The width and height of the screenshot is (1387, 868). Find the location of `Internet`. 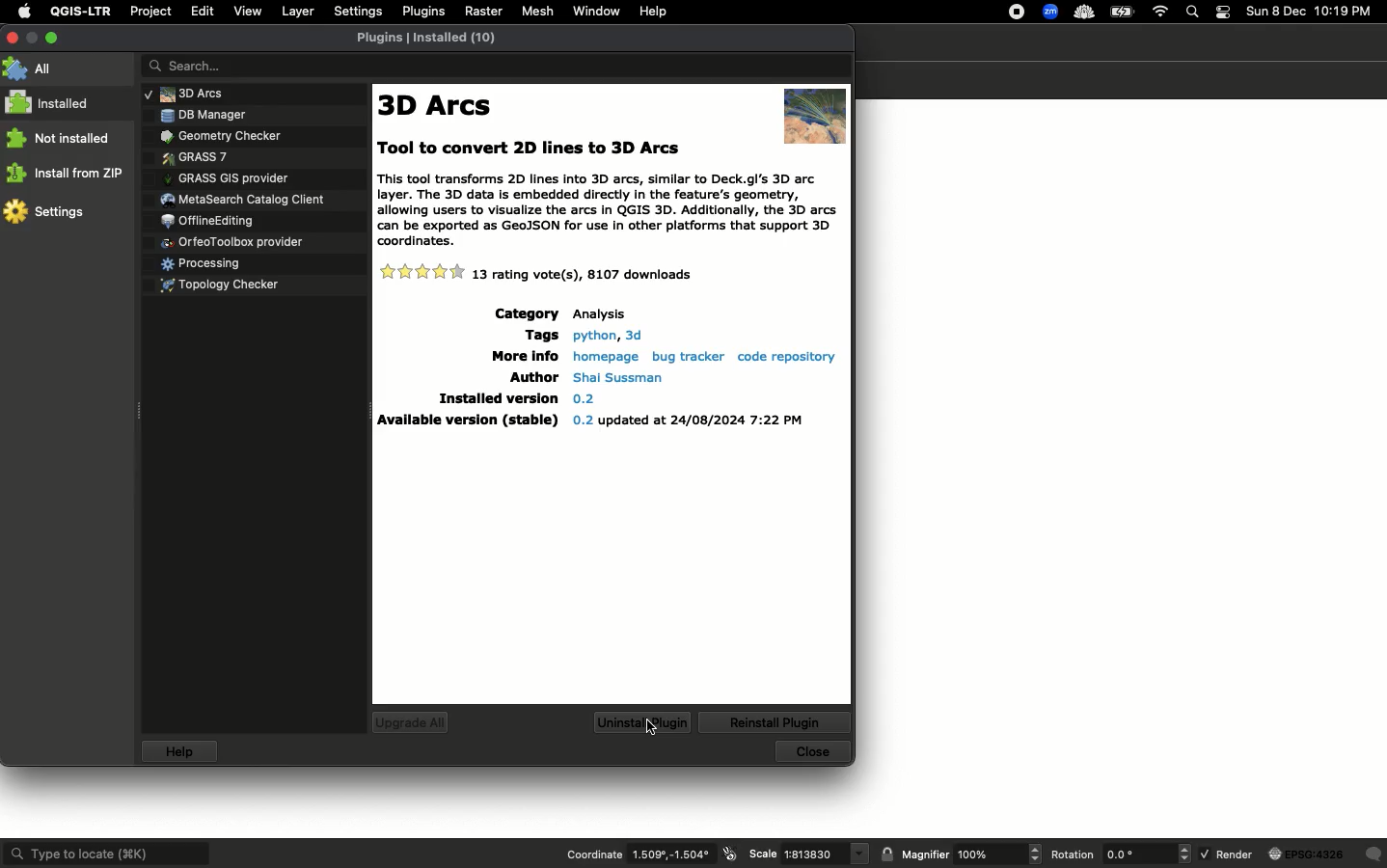

Internet is located at coordinates (1162, 12).